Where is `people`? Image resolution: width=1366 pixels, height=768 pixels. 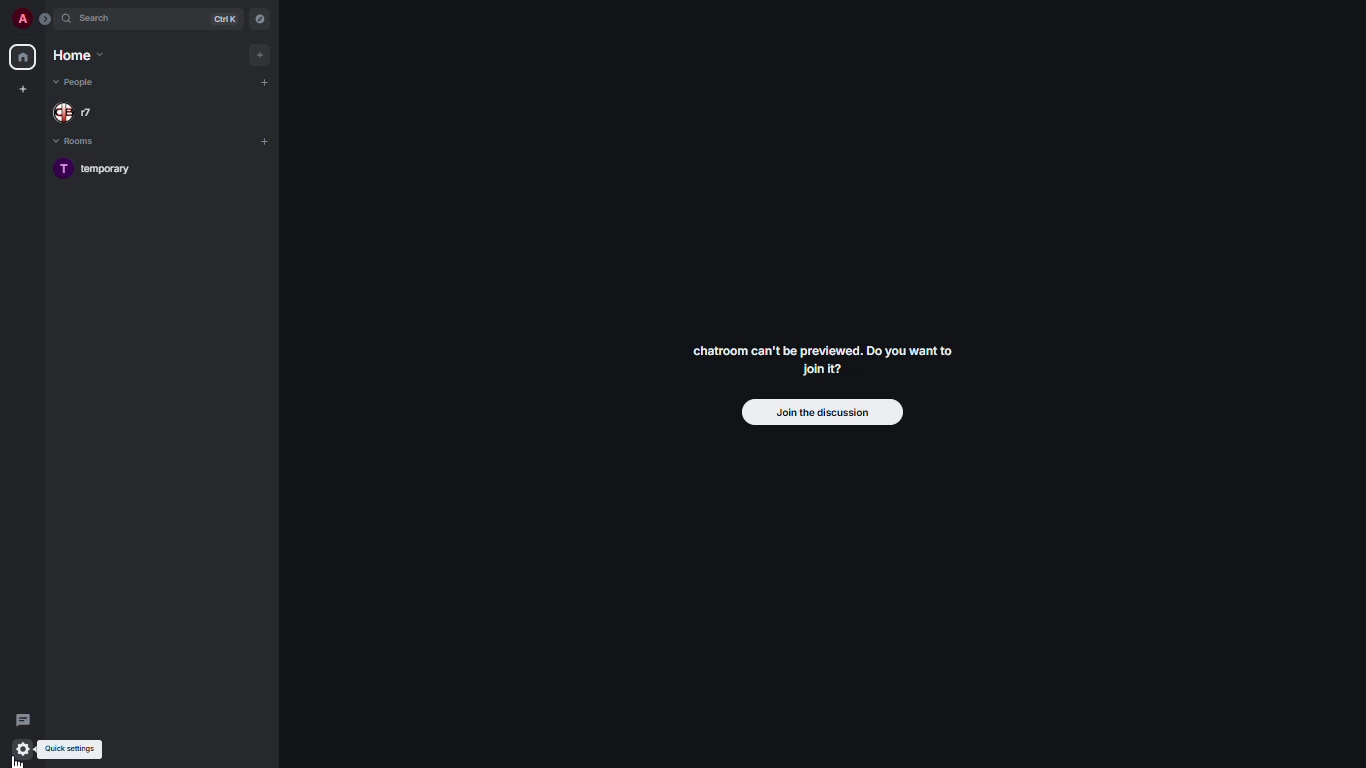
people is located at coordinates (77, 84).